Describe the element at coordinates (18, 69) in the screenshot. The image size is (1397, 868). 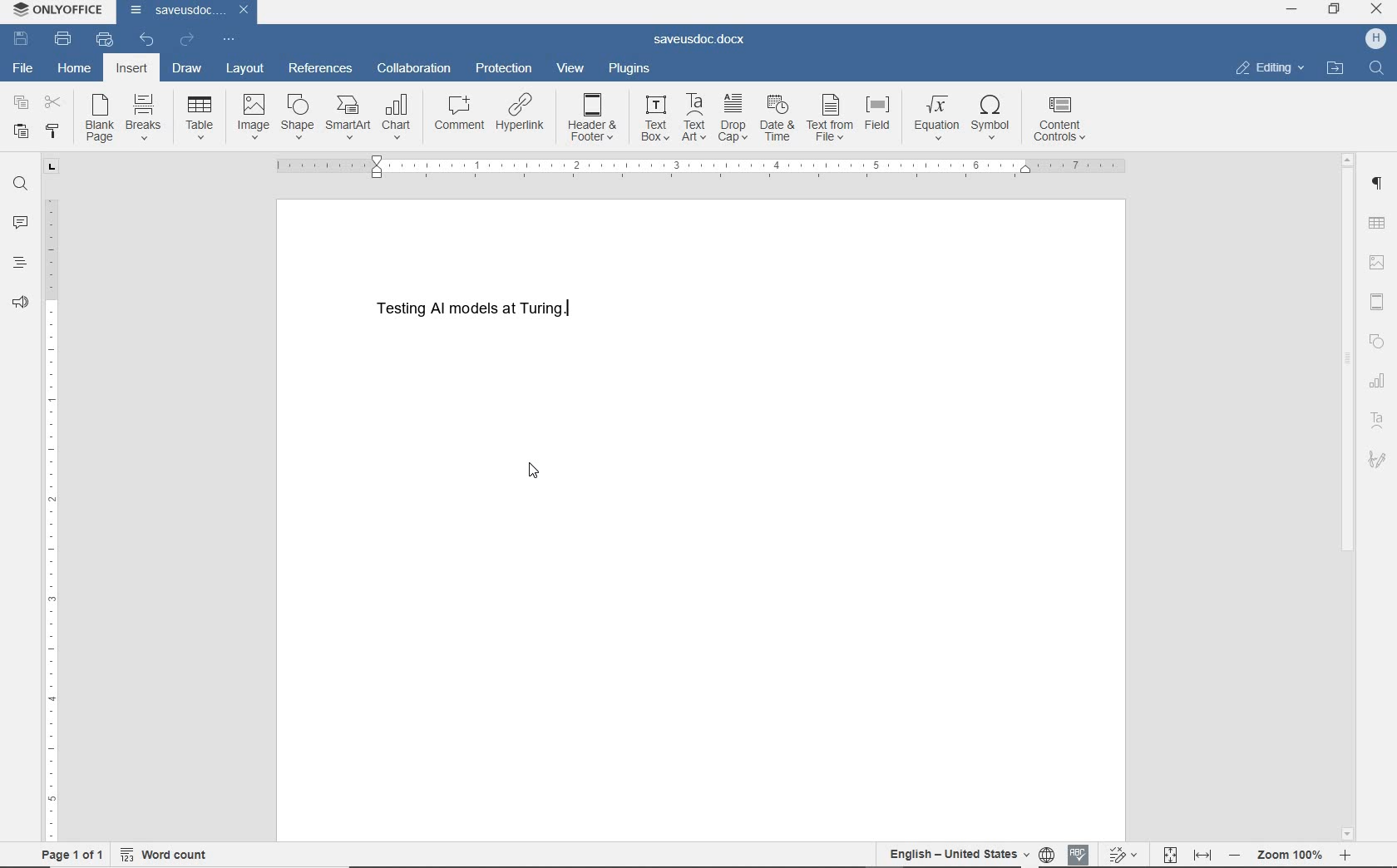
I see `file` at that location.